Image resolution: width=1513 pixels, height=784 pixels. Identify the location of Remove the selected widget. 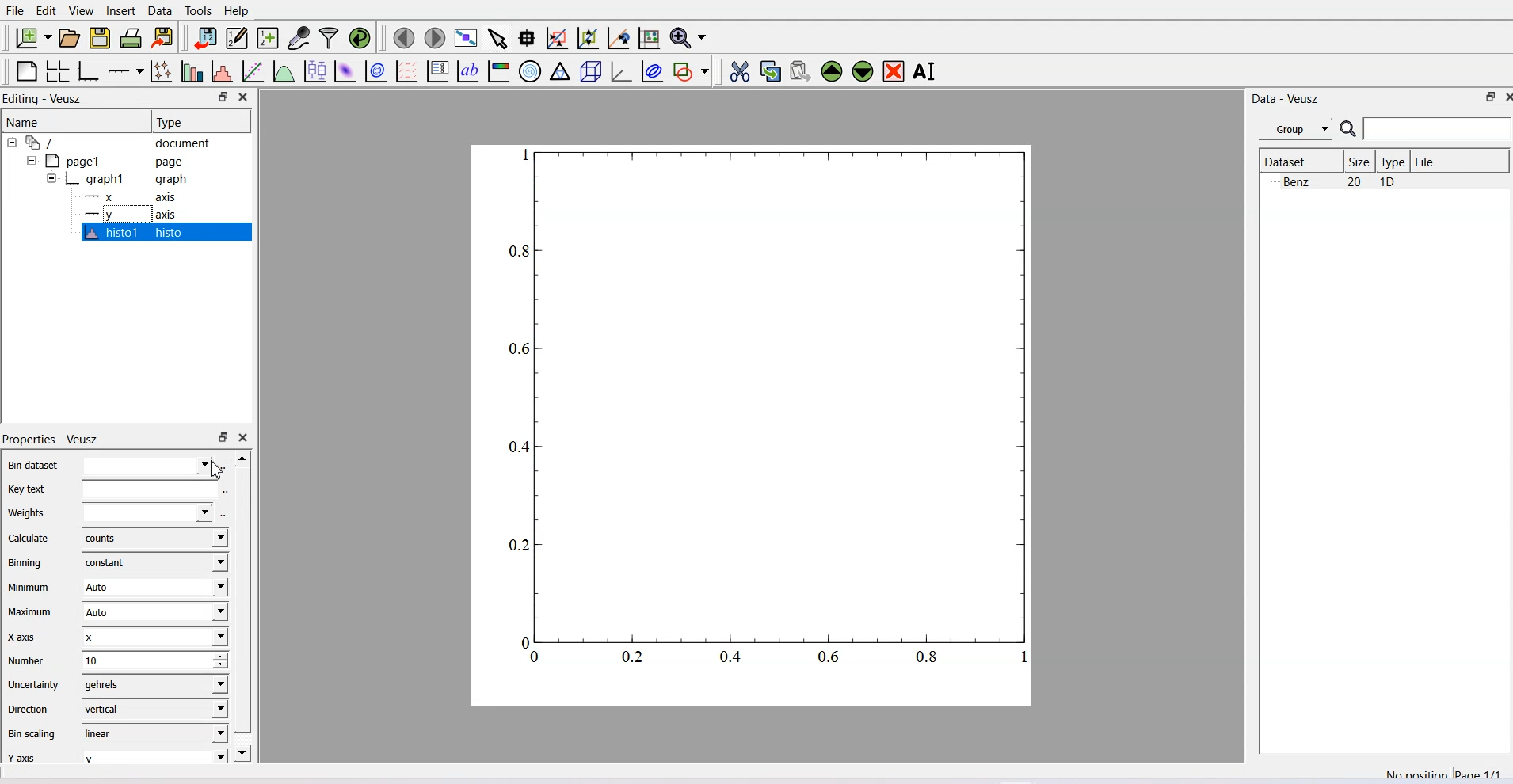
(893, 71).